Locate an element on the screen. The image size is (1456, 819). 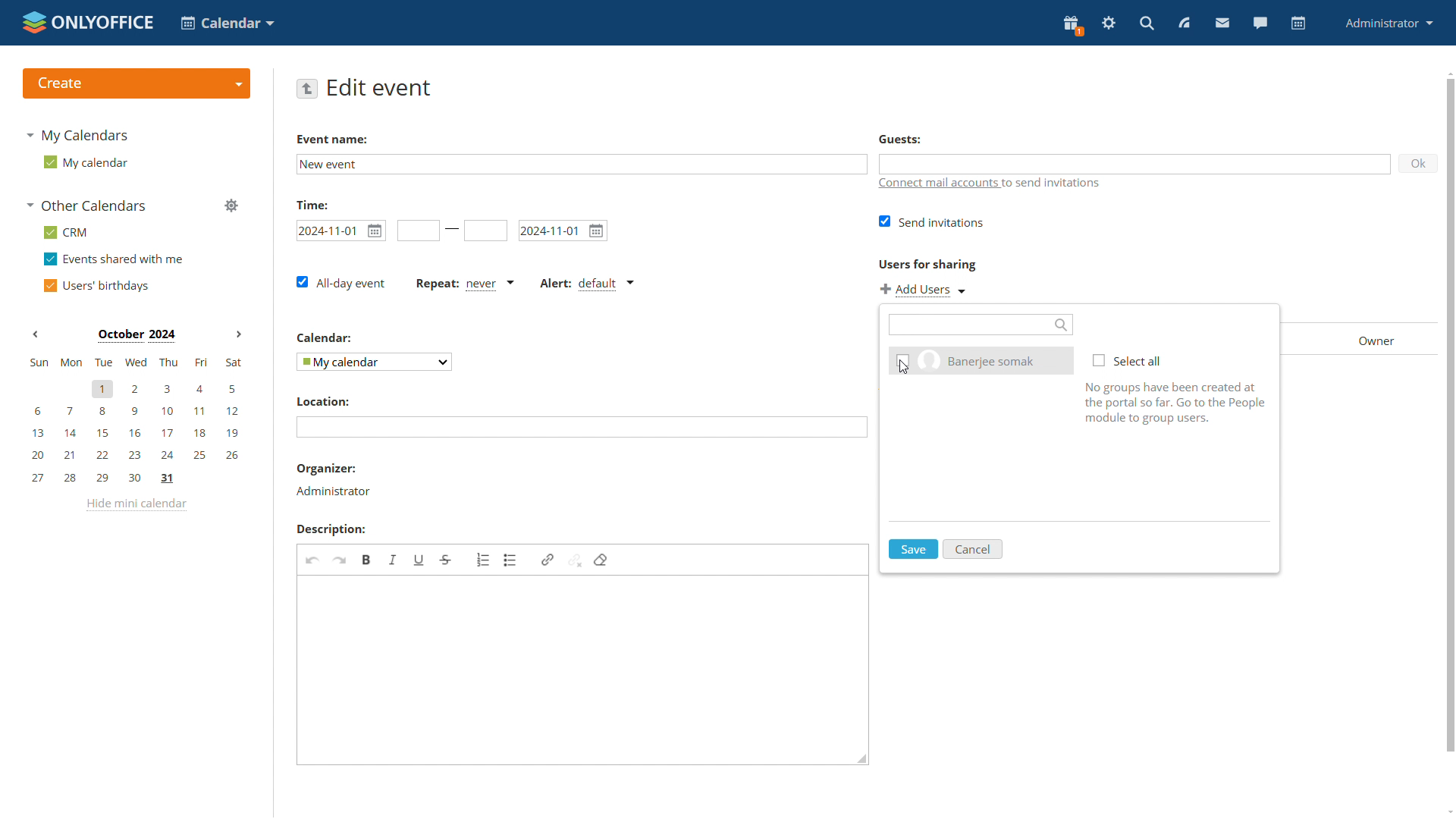
end date is located at coordinates (487, 231).